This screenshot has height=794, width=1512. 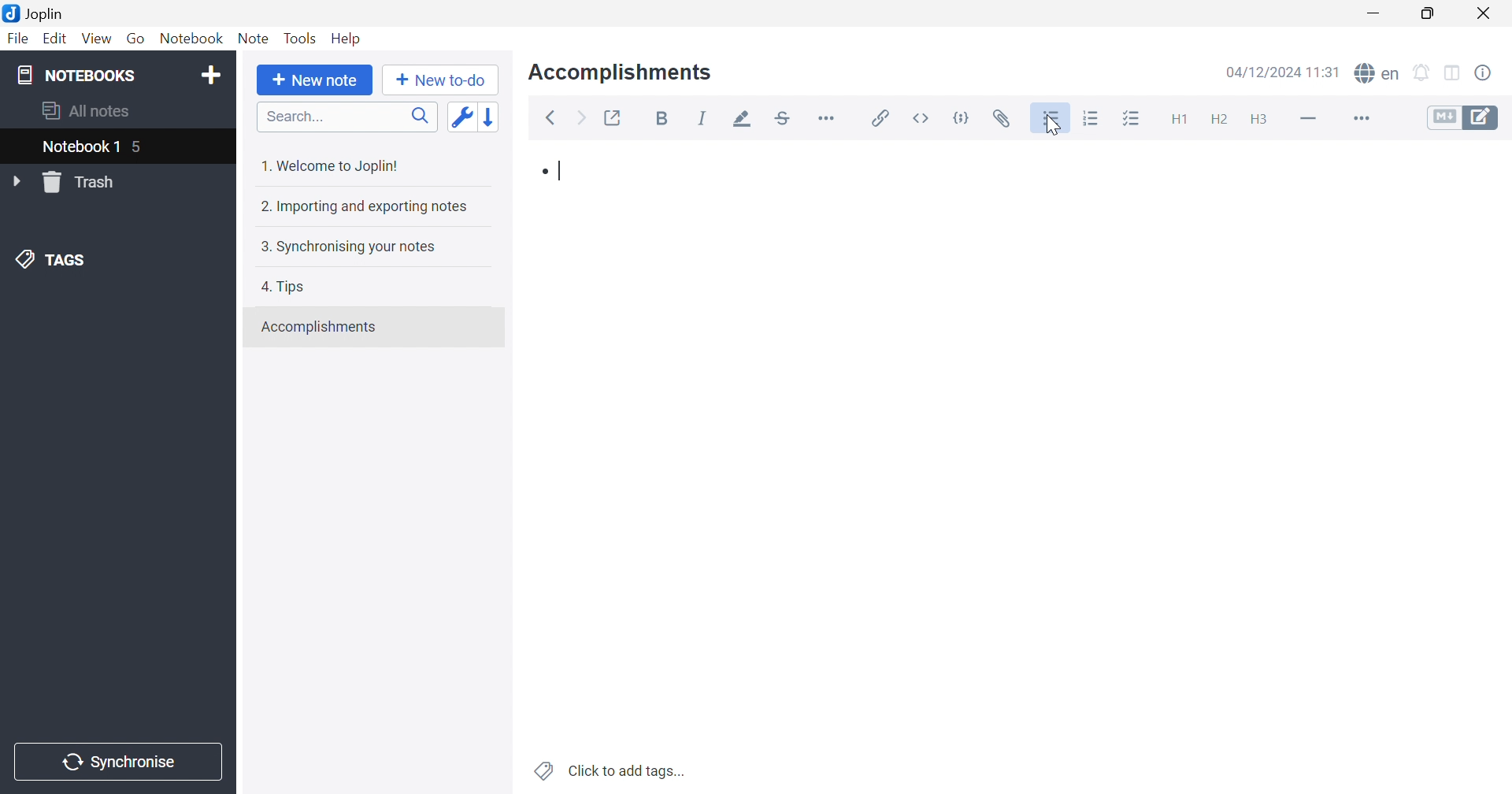 What do you see at coordinates (1052, 121) in the screenshot?
I see `Bulleted list` at bounding box center [1052, 121].